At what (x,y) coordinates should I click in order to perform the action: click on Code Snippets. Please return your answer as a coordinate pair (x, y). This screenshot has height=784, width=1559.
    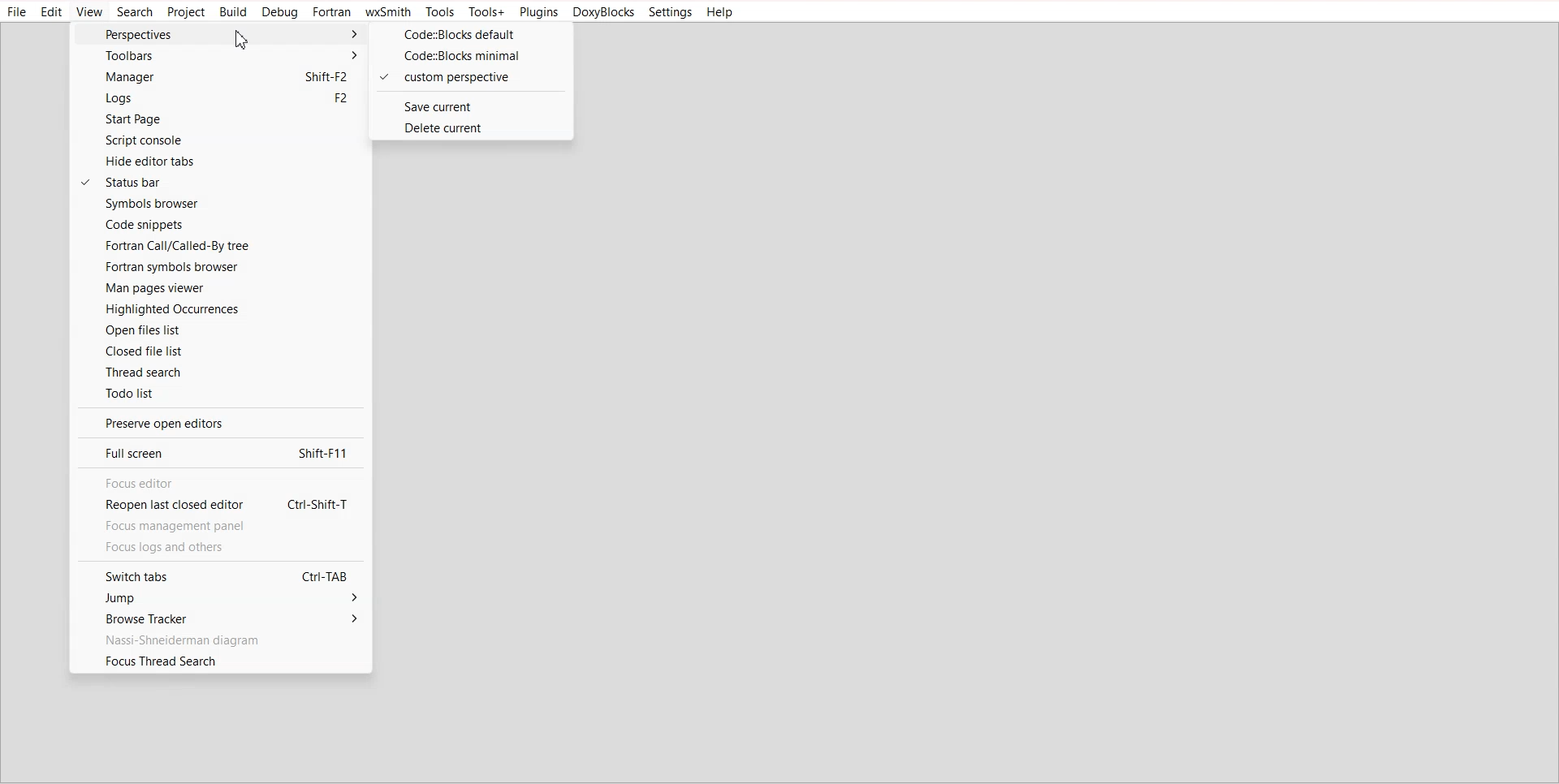
    Looking at the image, I should click on (220, 224).